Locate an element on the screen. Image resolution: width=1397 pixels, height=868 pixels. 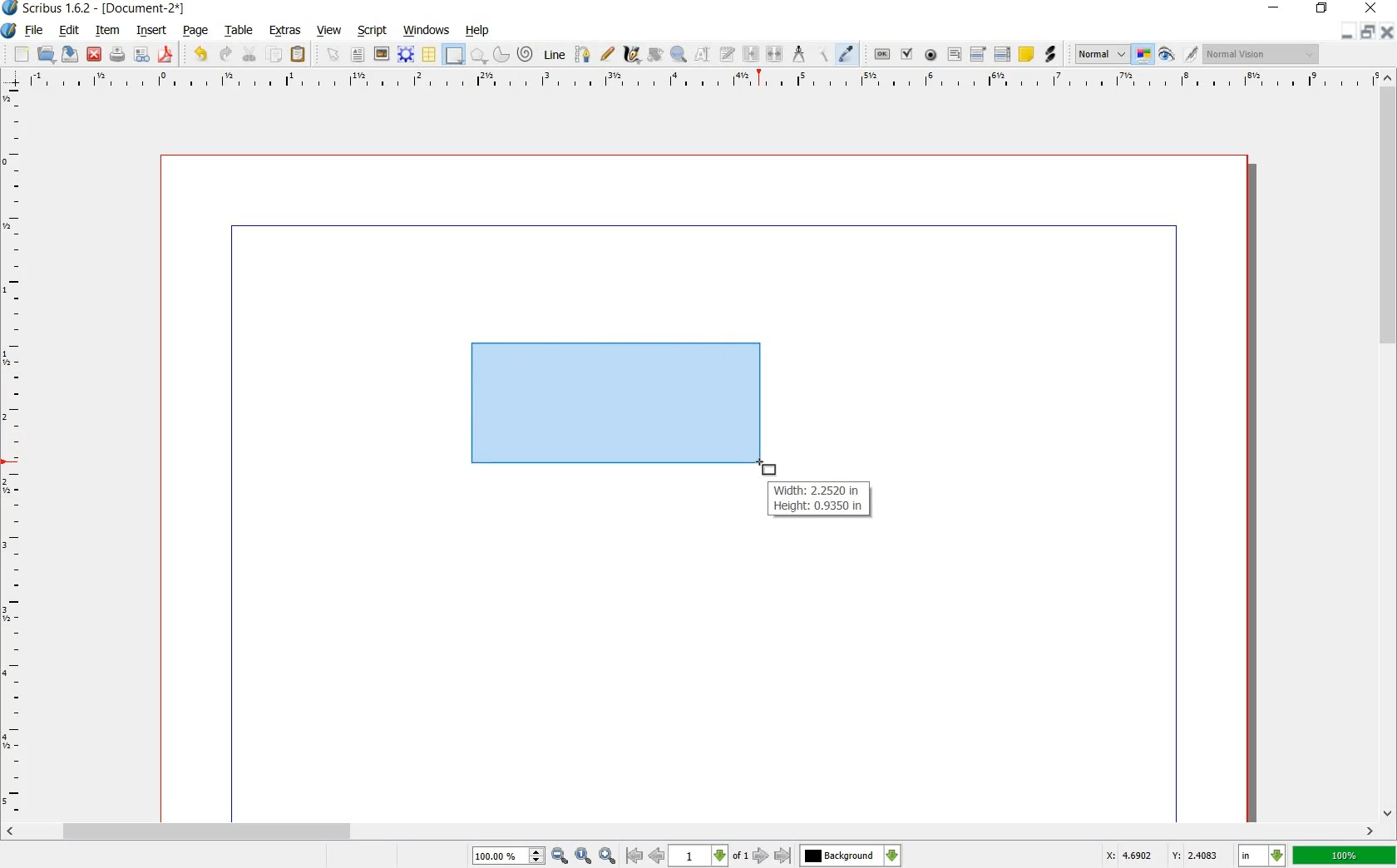
go to next page is located at coordinates (763, 856).